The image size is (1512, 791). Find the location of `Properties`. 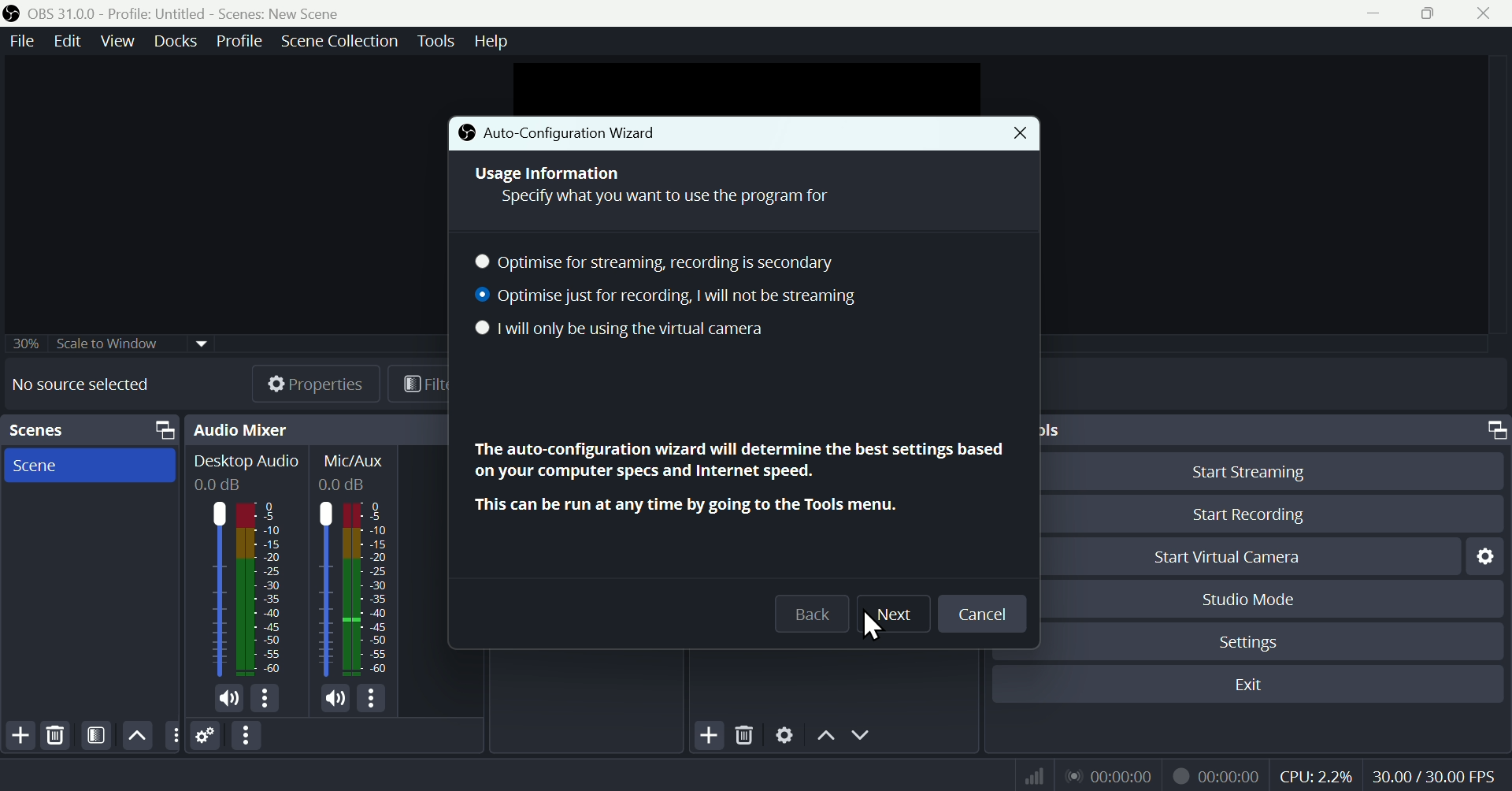

Properties is located at coordinates (301, 383).